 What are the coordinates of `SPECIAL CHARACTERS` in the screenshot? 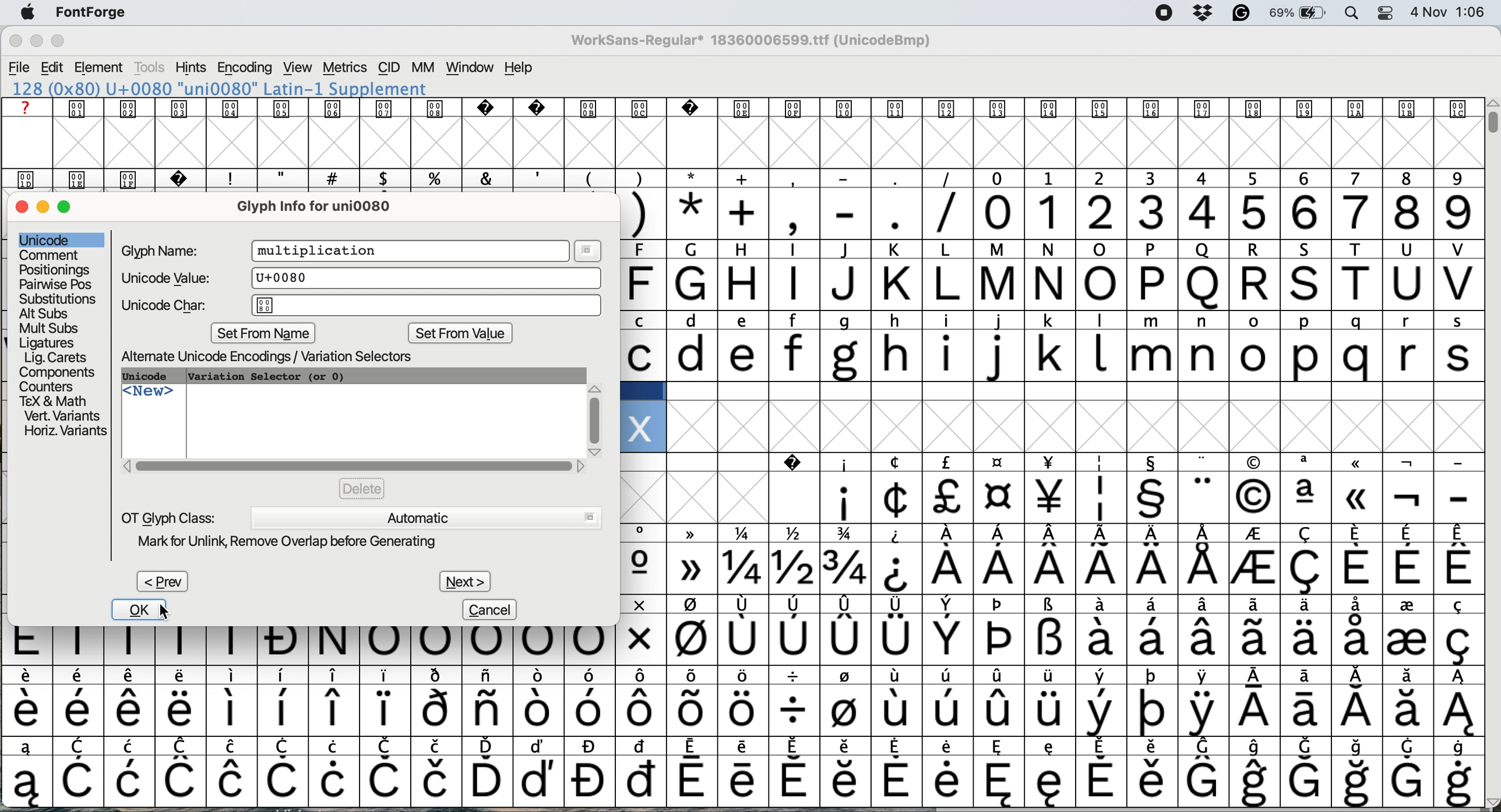 It's located at (1051, 463).